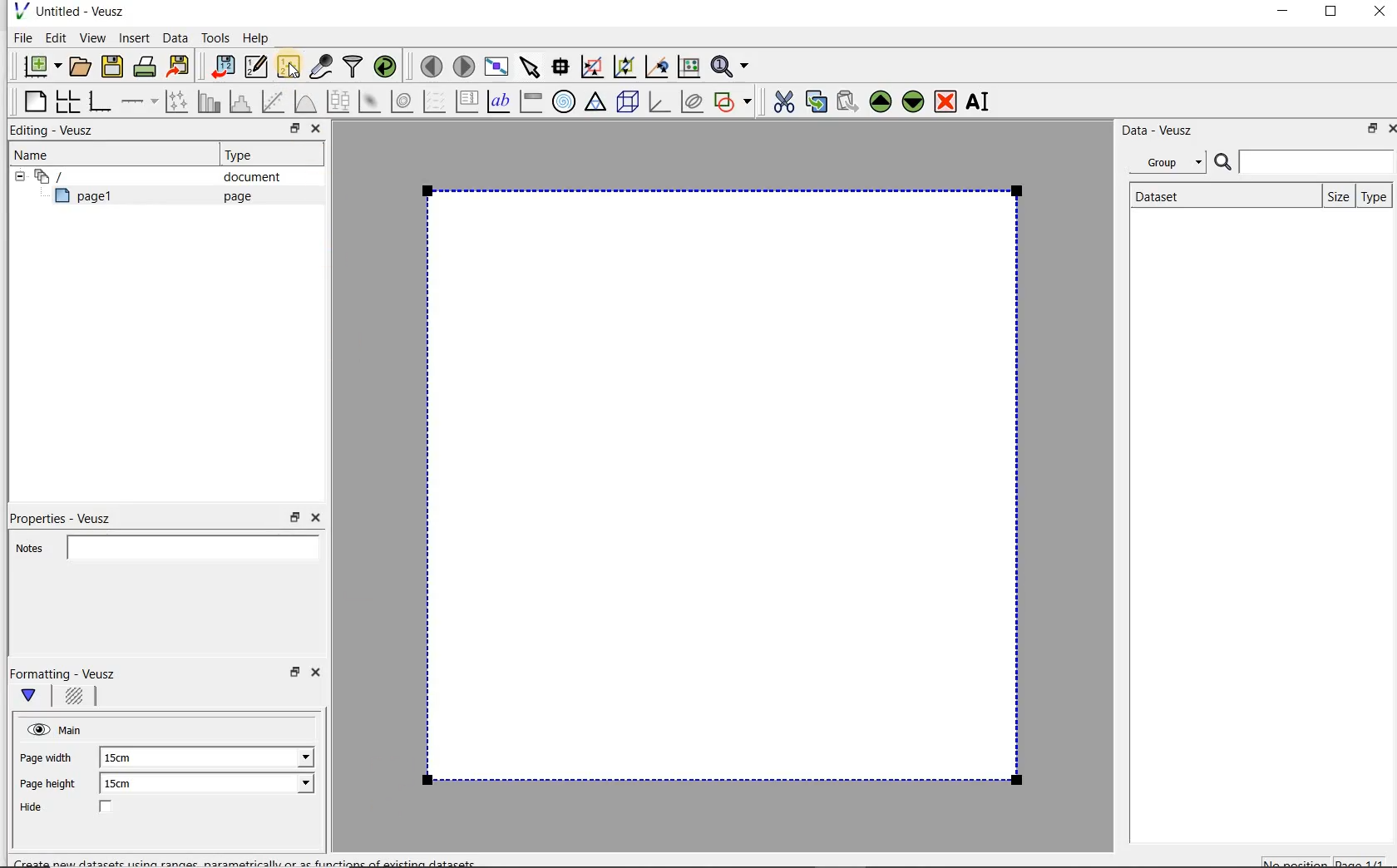  Describe the element at coordinates (946, 101) in the screenshot. I see `remove the selected widget` at that location.